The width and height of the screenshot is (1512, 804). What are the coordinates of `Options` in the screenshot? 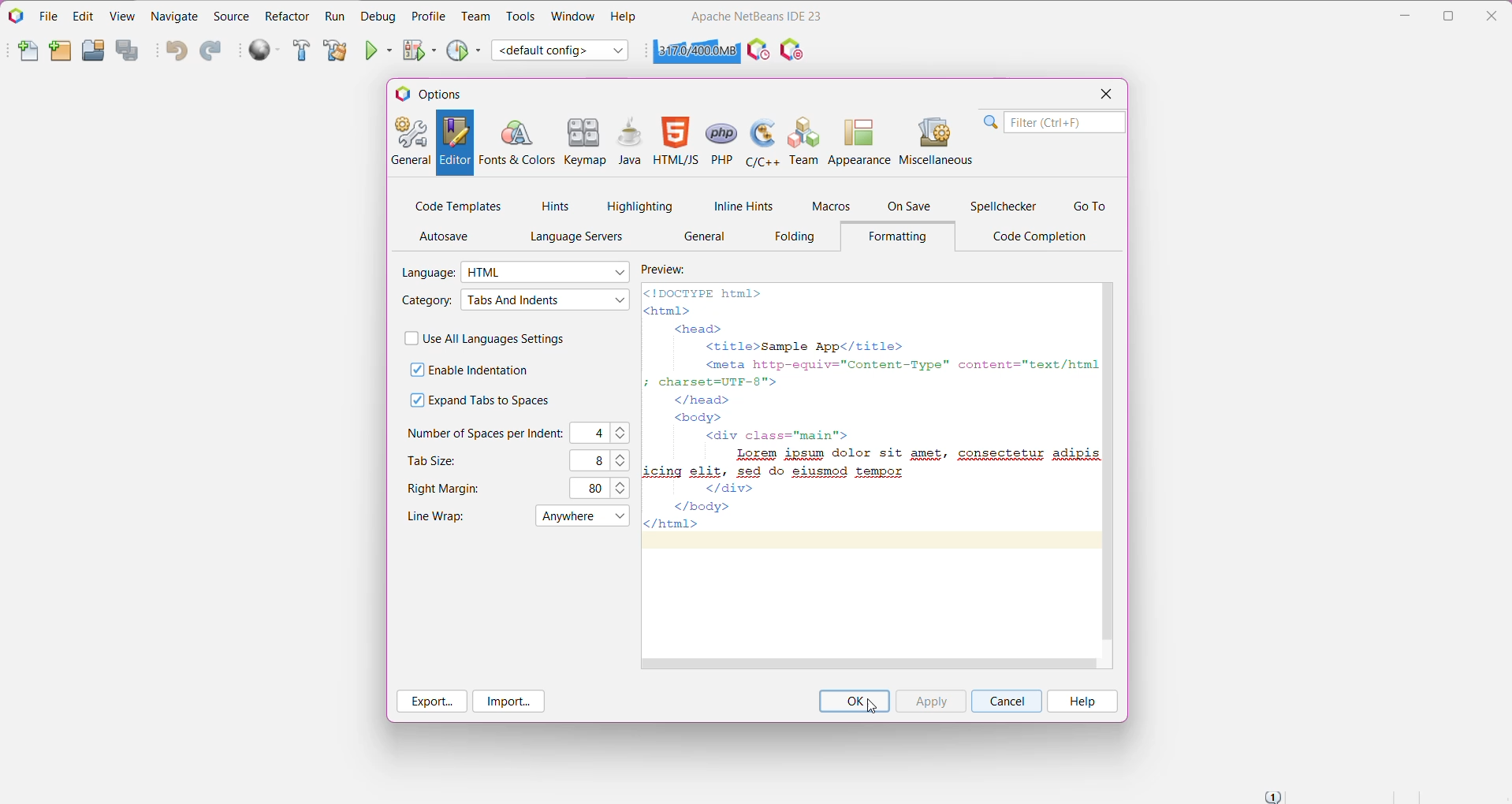 It's located at (442, 94).